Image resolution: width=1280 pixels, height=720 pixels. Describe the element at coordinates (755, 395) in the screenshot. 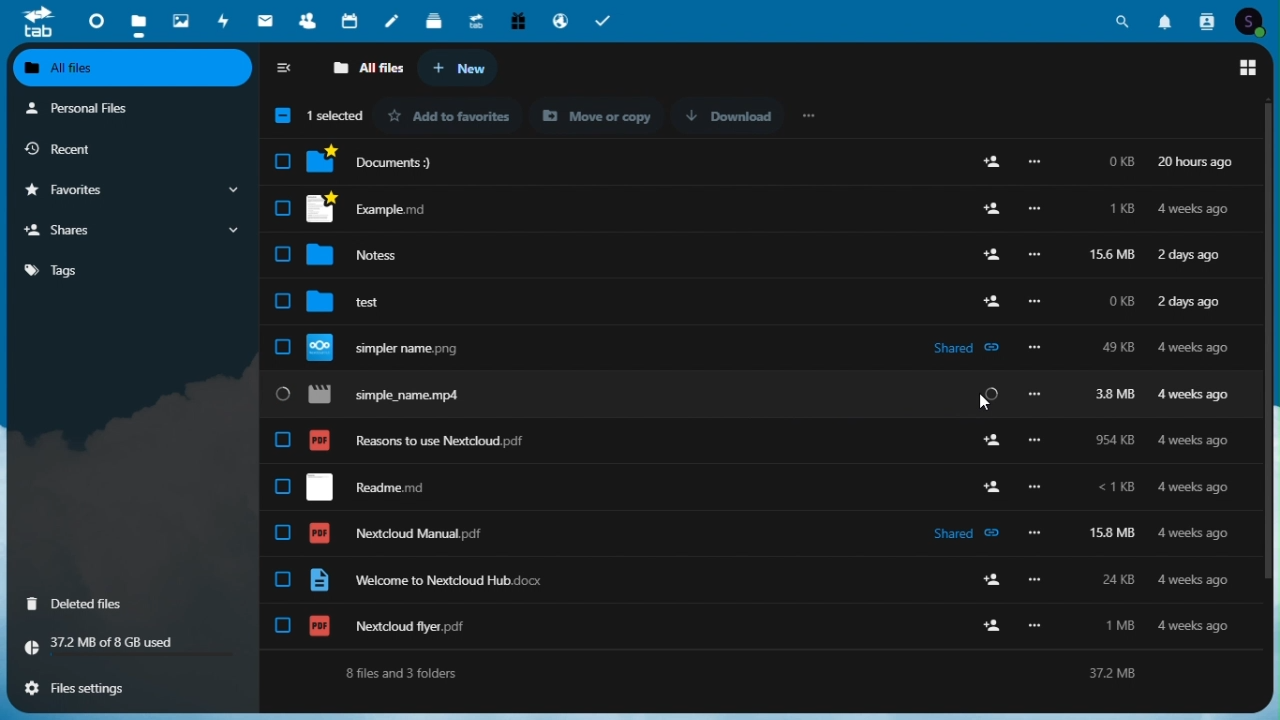

I see `sample_name.mp4` at that location.